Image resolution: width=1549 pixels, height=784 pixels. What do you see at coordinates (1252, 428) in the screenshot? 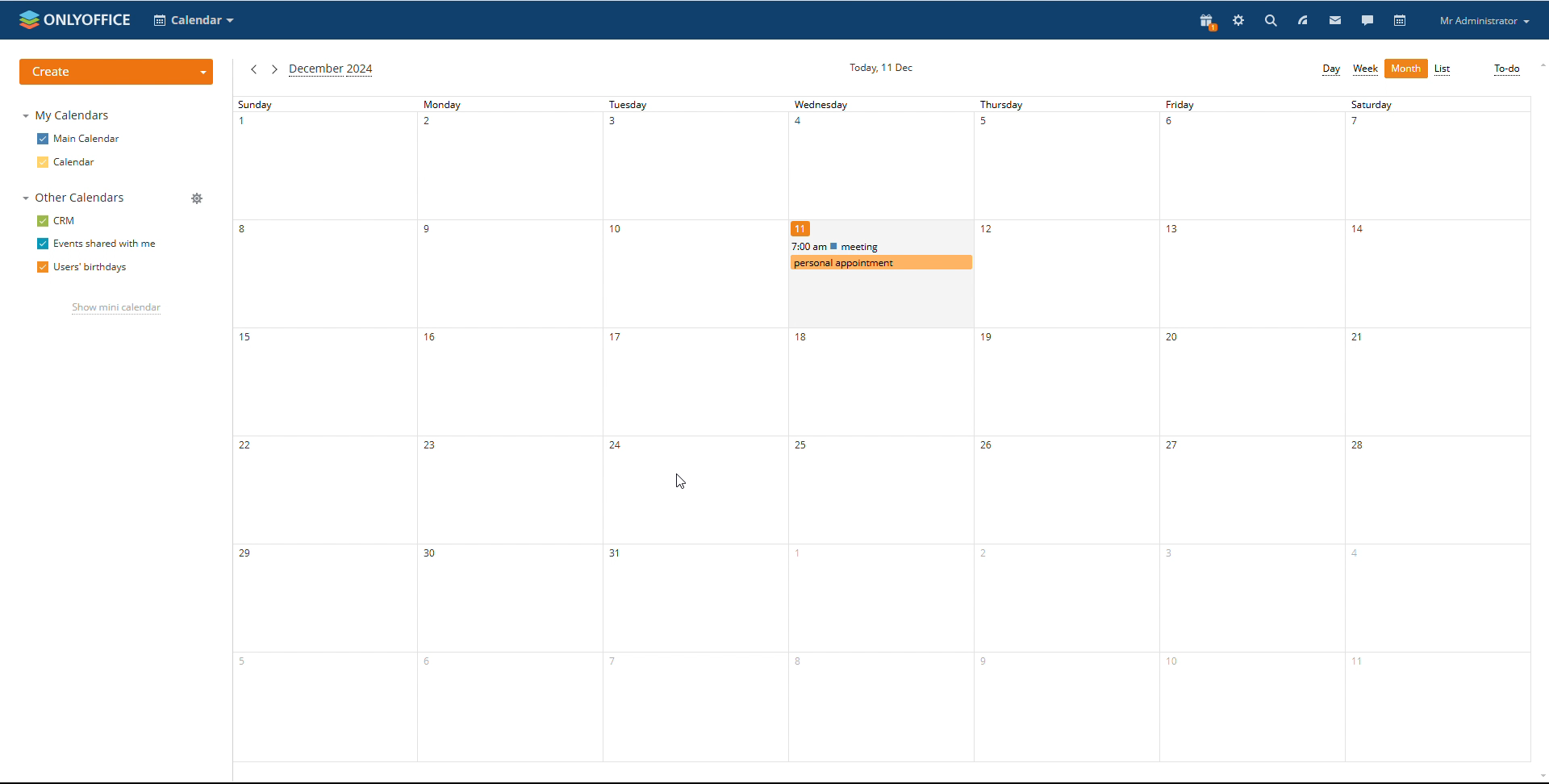
I see `friday` at bounding box center [1252, 428].